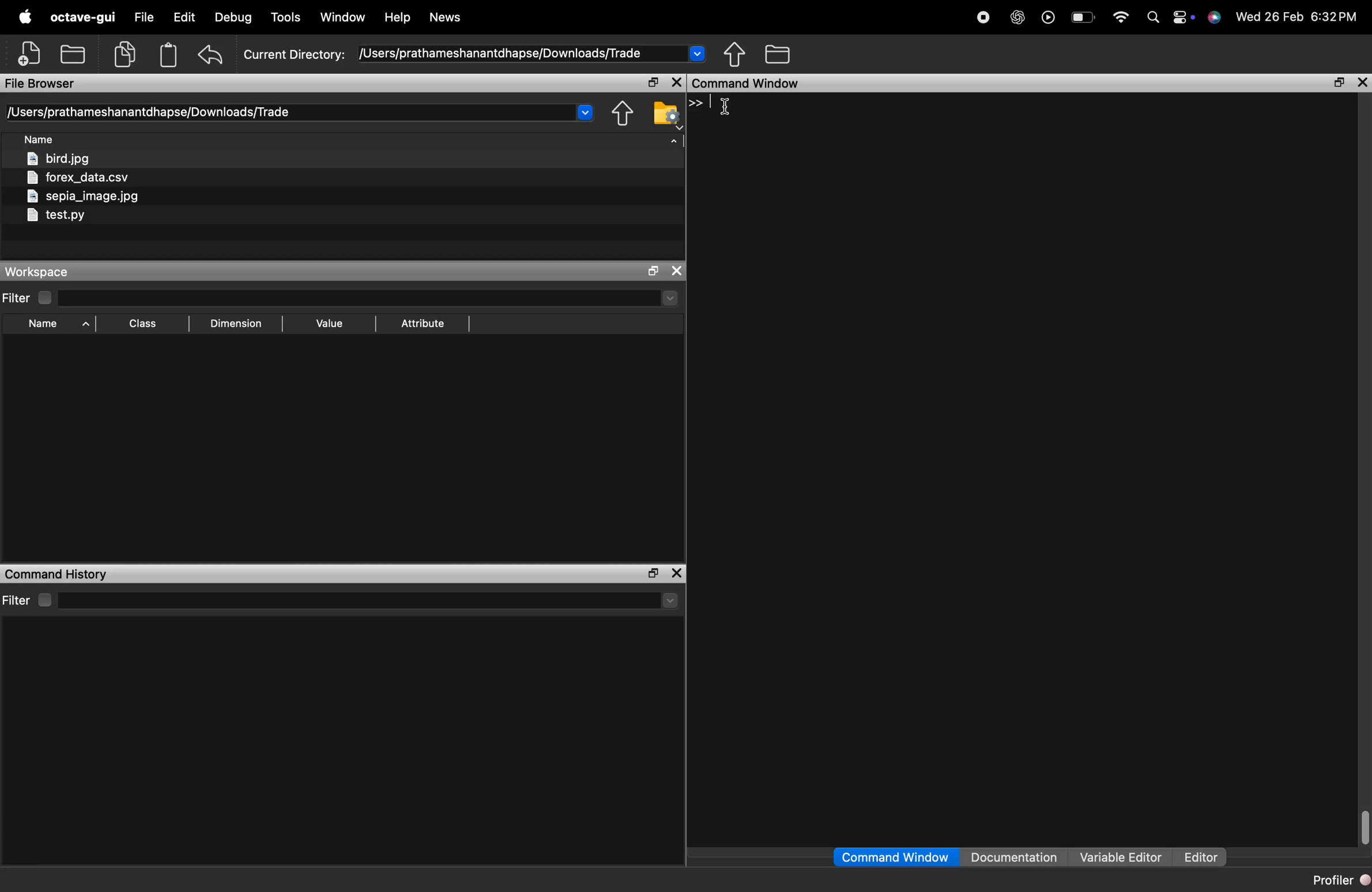 The image size is (1372, 892). Describe the element at coordinates (127, 53) in the screenshot. I see `copy` at that location.